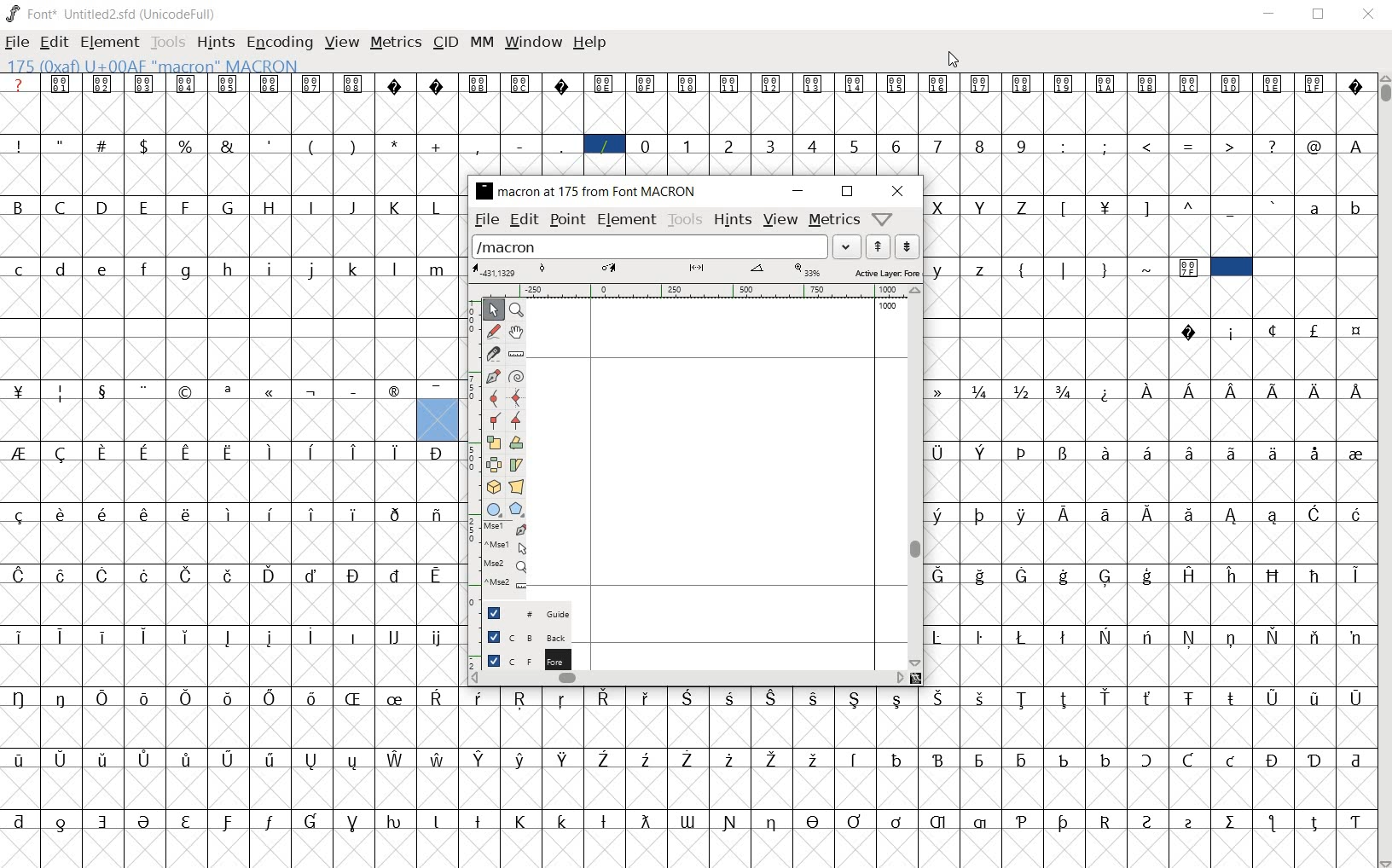  What do you see at coordinates (981, 453) in the screenshot?
I see `Symbol` at bounding box center [981, 453].